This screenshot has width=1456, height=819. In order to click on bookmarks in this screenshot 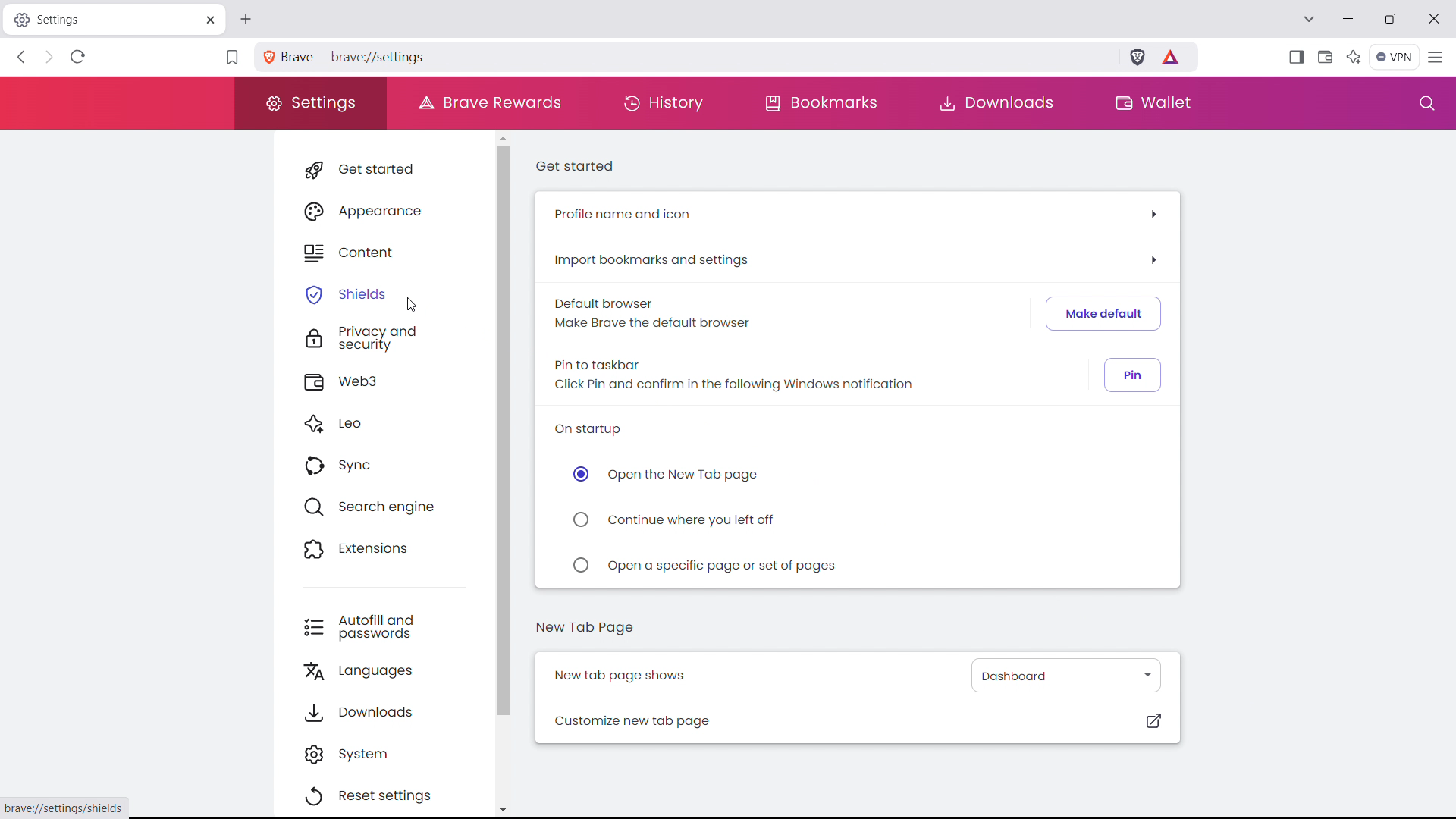, I will do `click(821, 103)`.